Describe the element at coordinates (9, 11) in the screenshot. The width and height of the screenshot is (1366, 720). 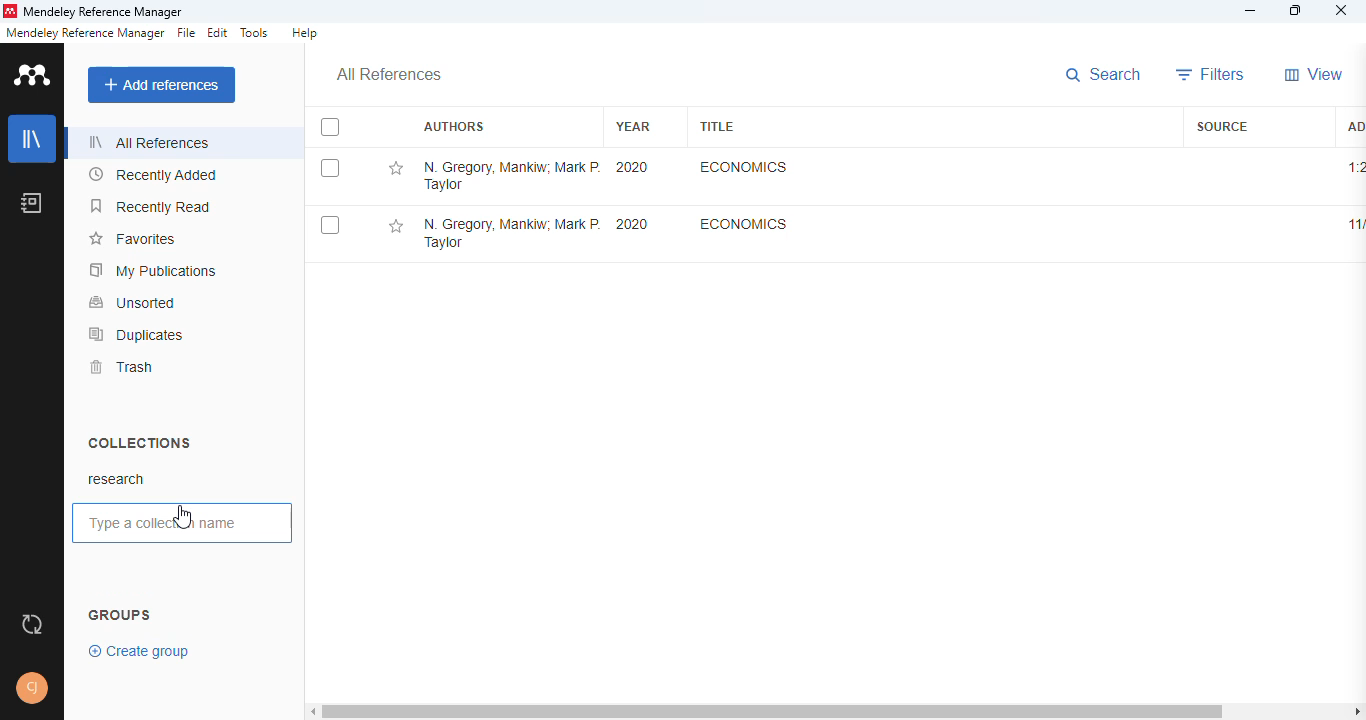
I see `logo` at that location.